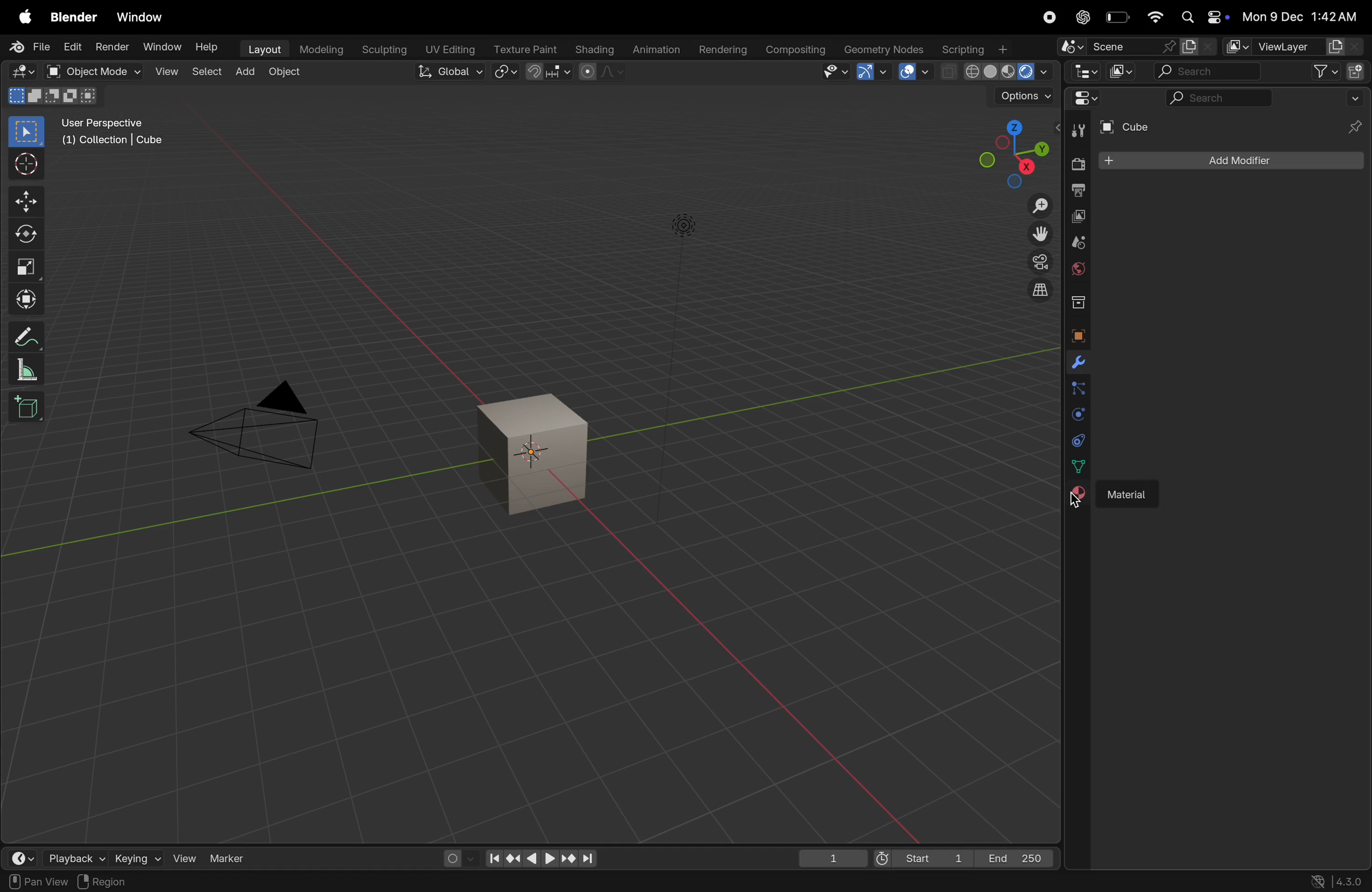 The width and height of the screenshot is (1372, 892). I want to click on move view, so click(1041, 234).